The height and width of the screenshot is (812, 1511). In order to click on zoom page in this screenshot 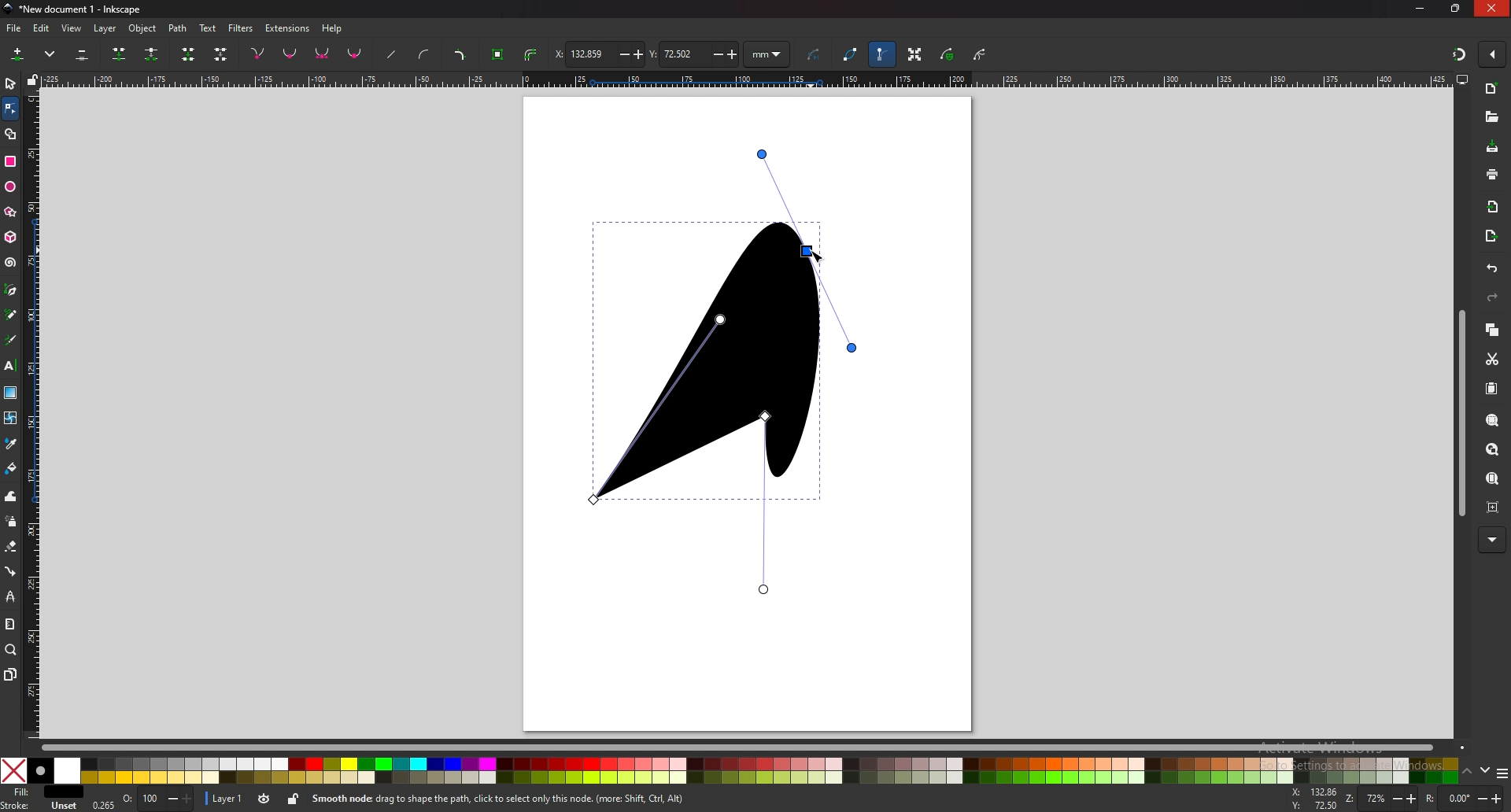, I will do `click(1491, 479)`.